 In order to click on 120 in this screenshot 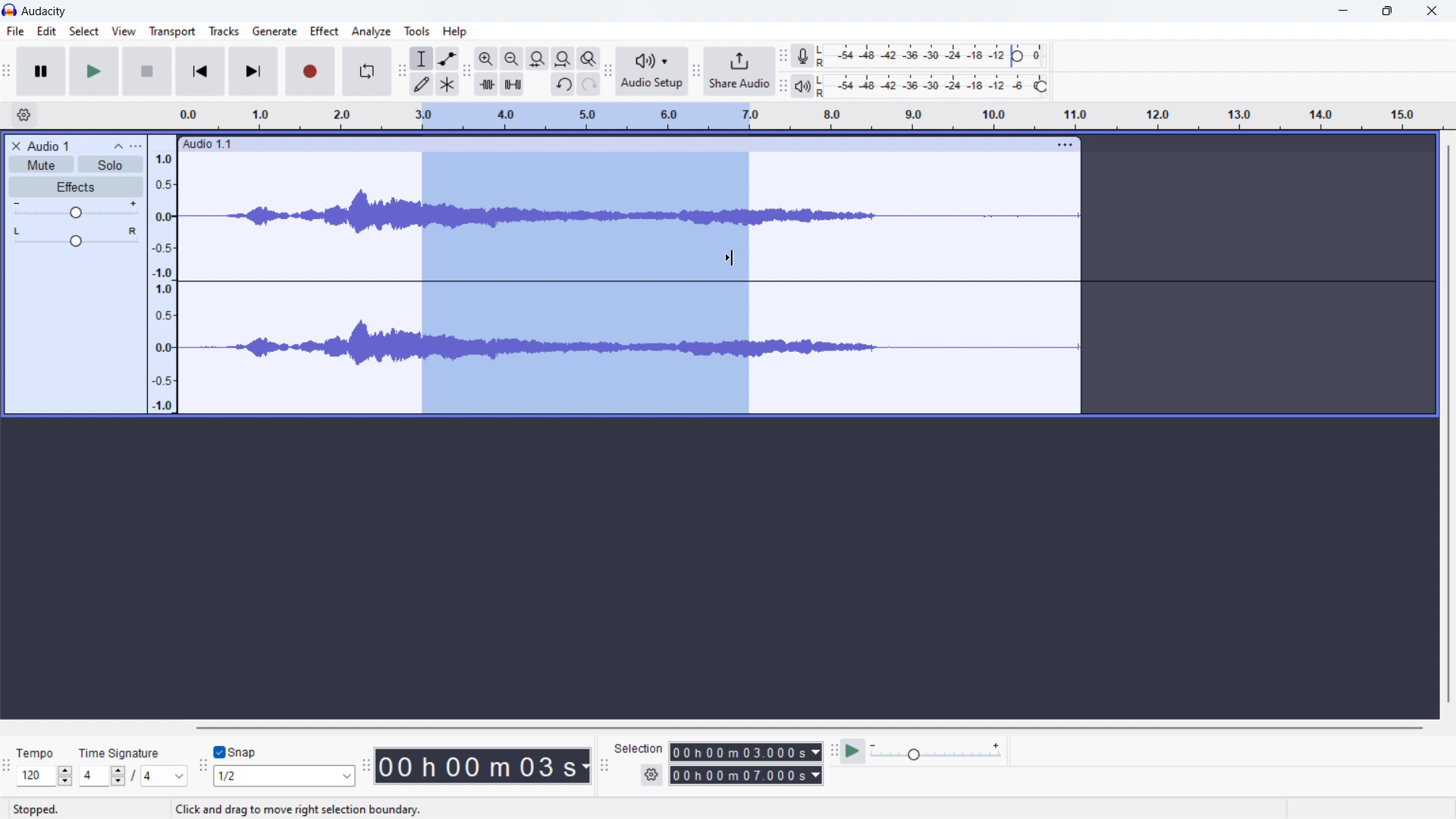, I will do `click(45, 776)`.